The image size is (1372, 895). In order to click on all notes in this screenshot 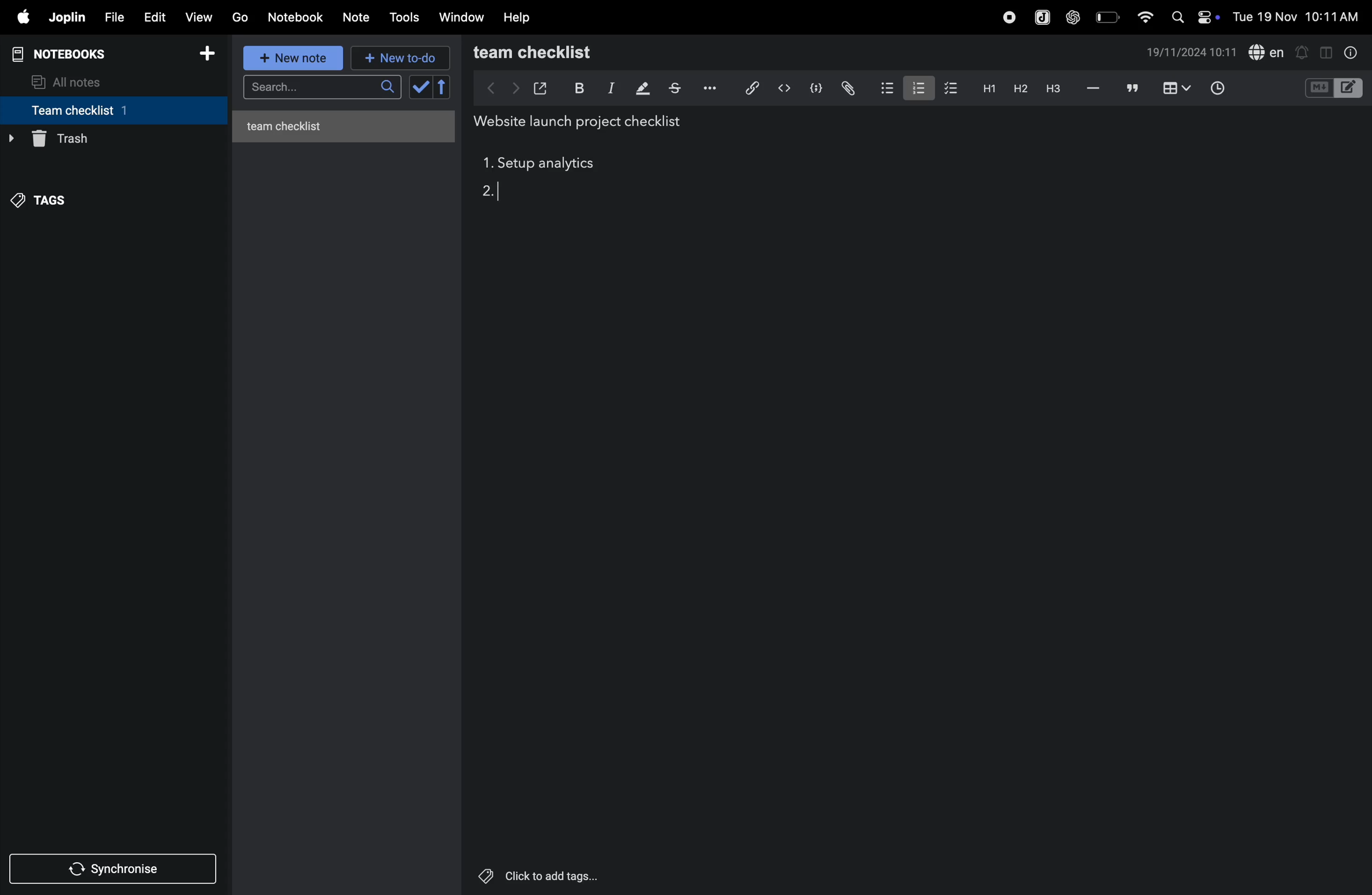, I will do `click(76, 81)`.